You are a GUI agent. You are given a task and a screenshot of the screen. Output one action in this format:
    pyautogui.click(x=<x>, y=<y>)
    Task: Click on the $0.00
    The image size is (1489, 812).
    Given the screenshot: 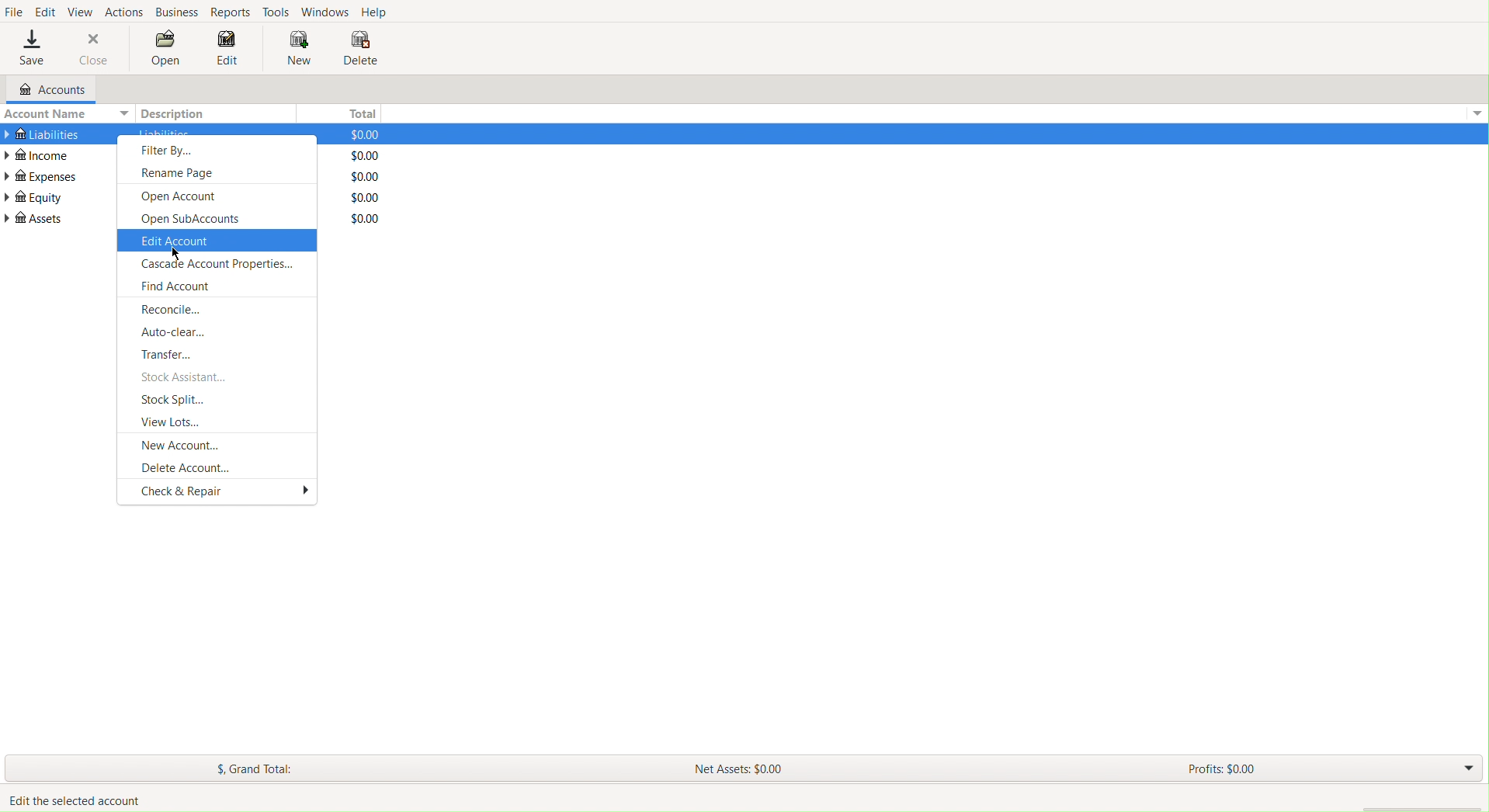 What is the action you would take?
    pyautogui.click(x=359, y=155)
    